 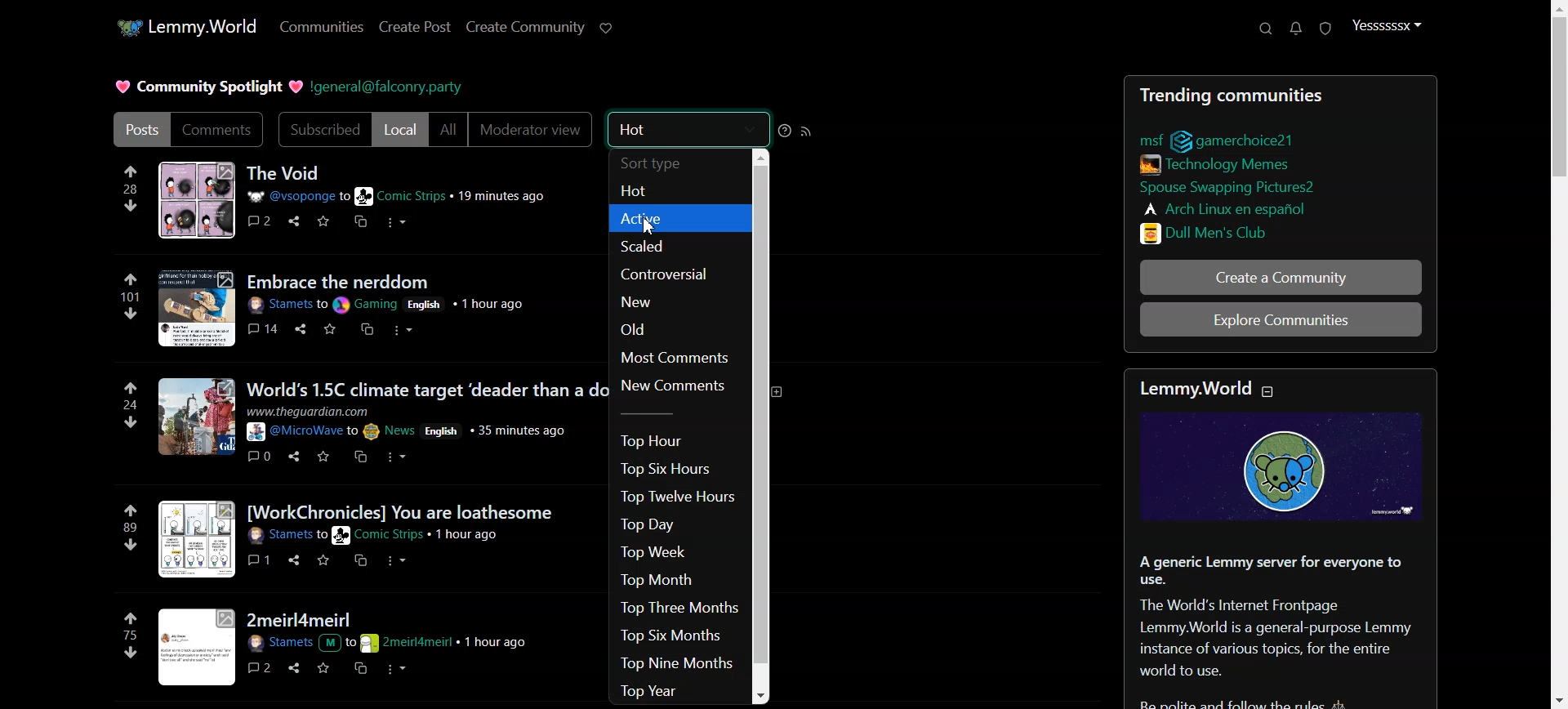 I want to click on Create Post, so click(x=415, y=26).